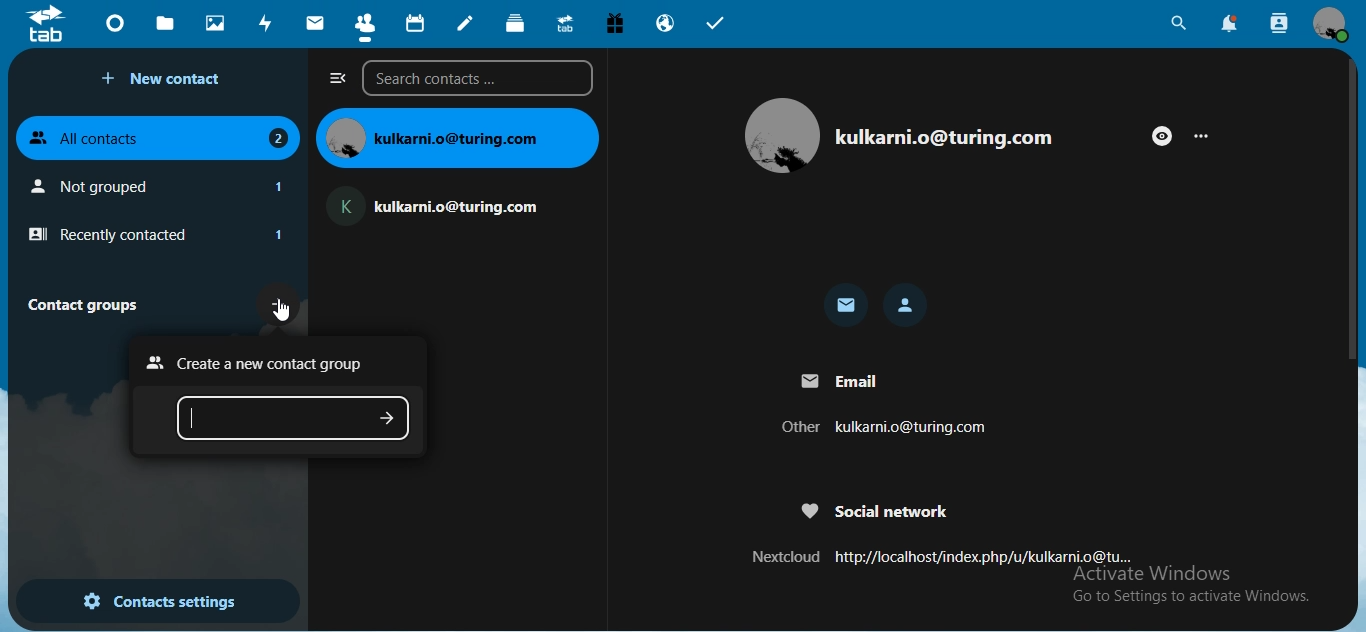  Describe the element at coordinates (1354, 209) in the screenshot. I see `scrollbar` at that location.